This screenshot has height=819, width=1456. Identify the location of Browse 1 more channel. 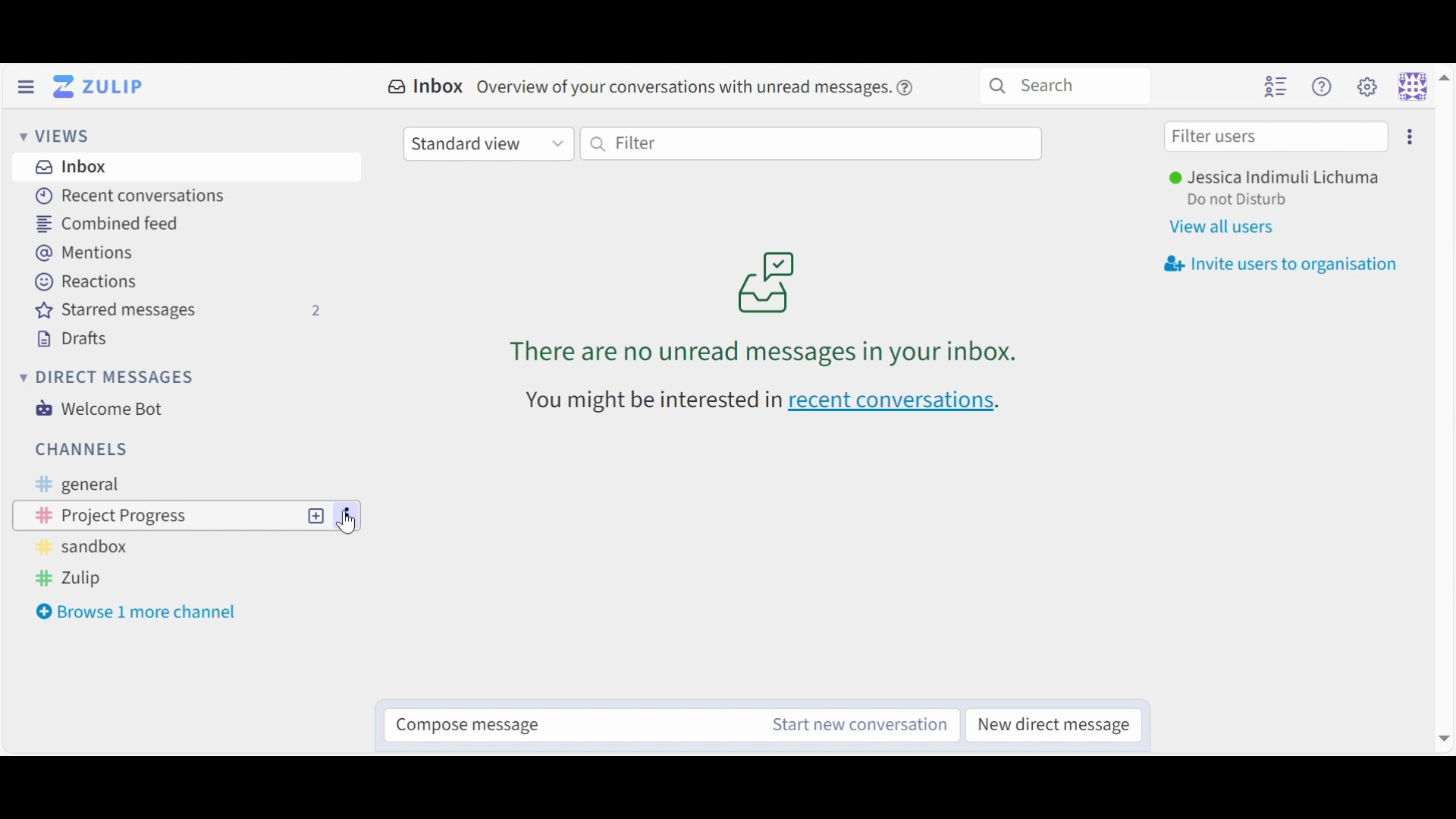
(144, 611).